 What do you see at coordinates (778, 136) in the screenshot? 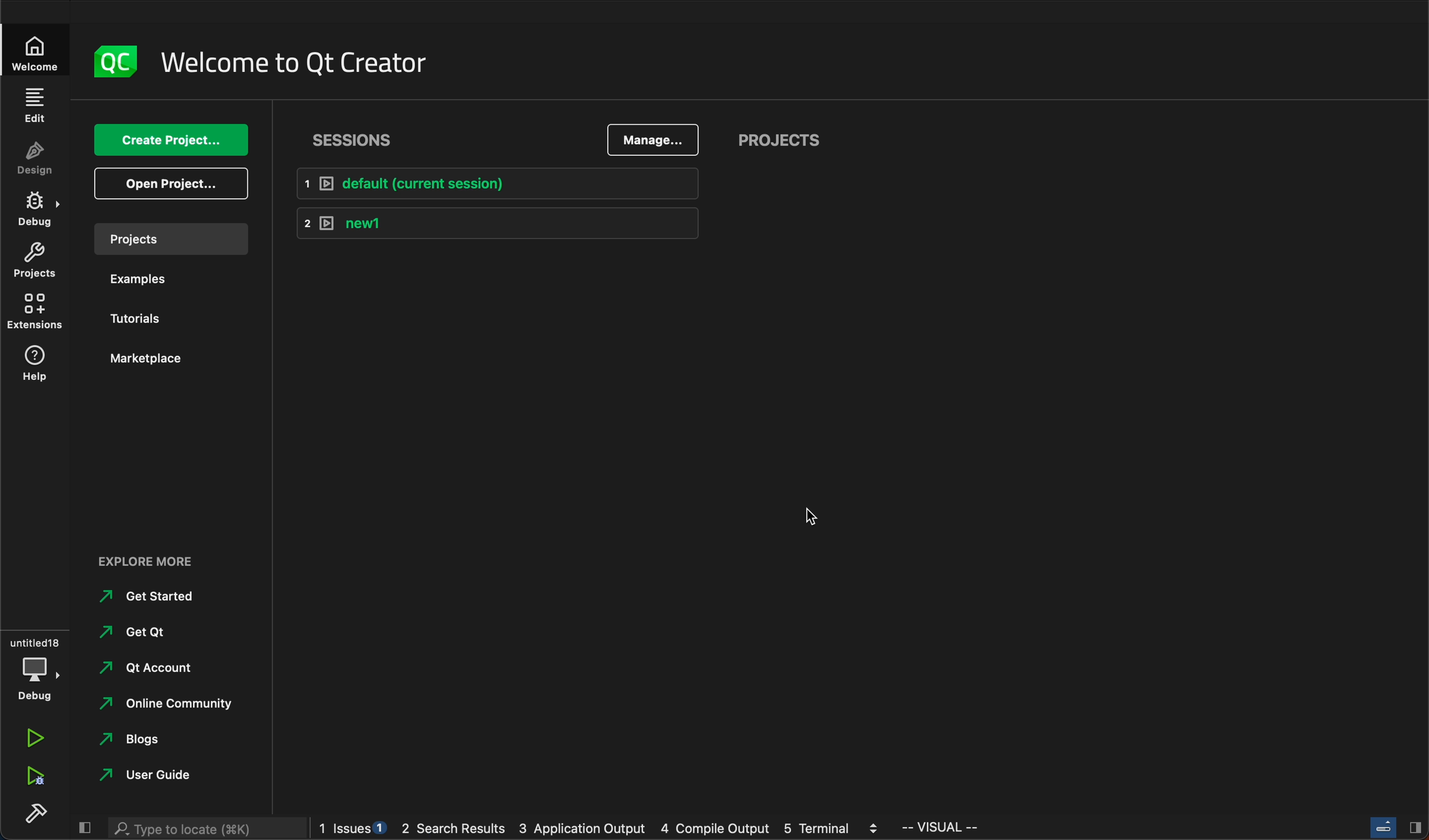
I see `projects` at bounding box center [778, 136].